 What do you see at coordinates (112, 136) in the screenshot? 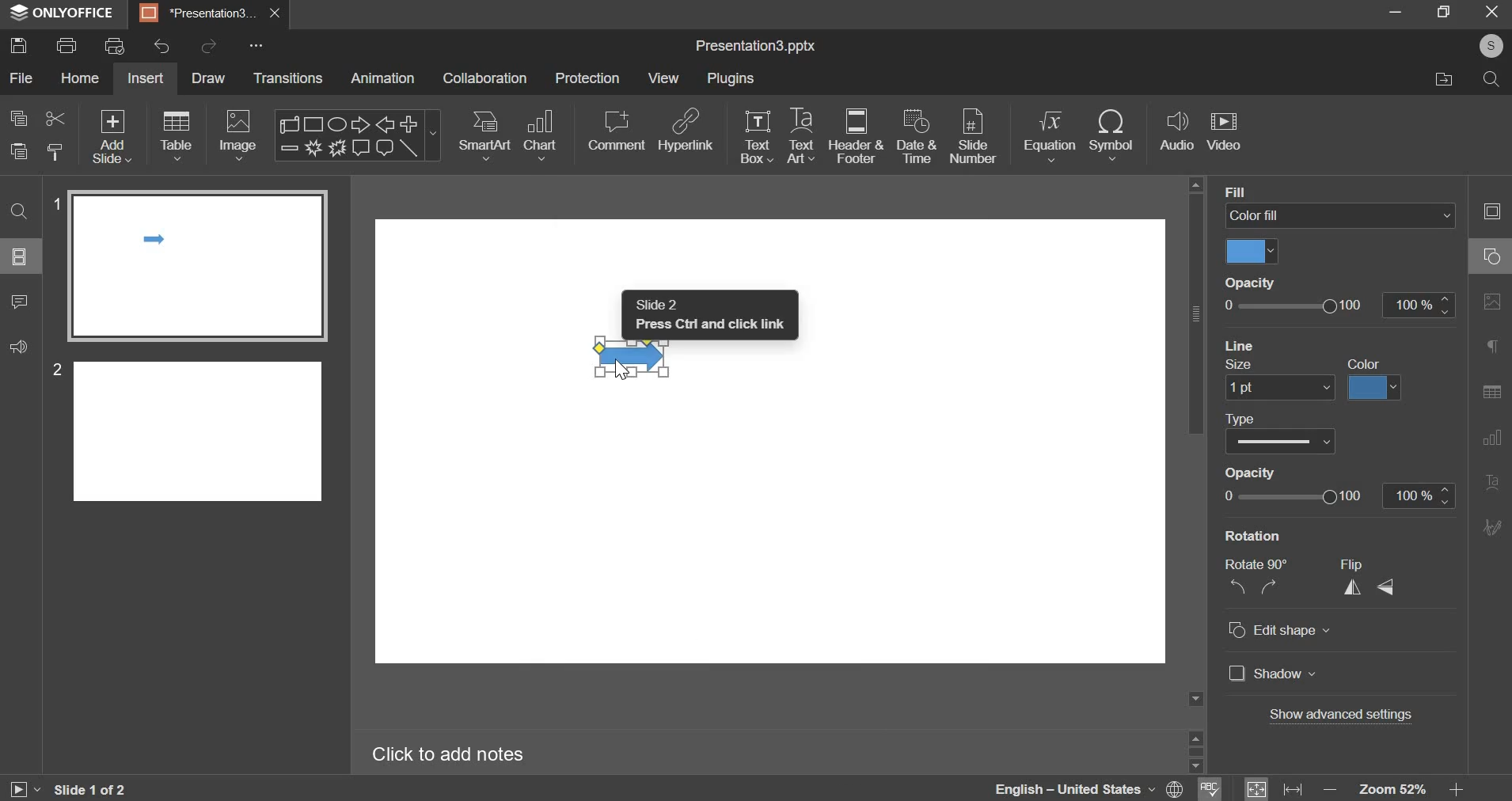
I see `add slide` at bounding box center [112, 136].